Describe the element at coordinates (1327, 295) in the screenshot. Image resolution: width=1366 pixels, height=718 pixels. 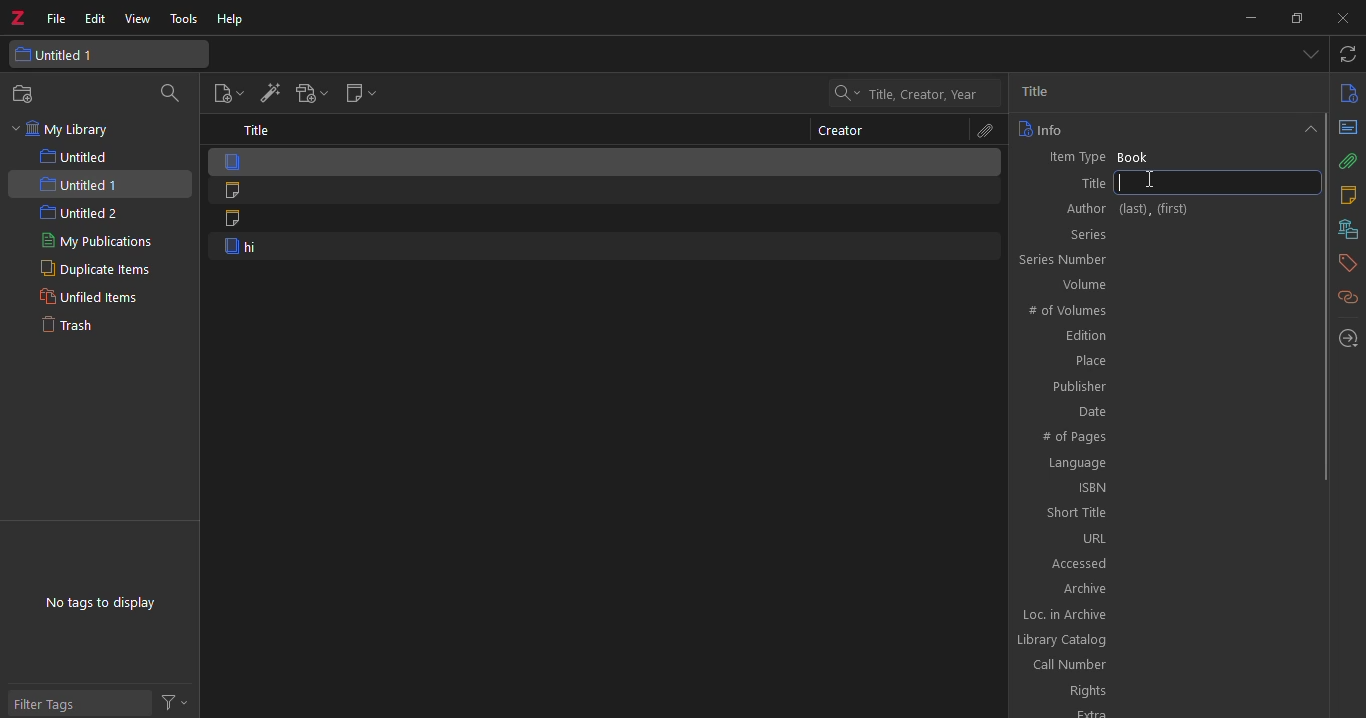
I see `scroll bar` at that location.